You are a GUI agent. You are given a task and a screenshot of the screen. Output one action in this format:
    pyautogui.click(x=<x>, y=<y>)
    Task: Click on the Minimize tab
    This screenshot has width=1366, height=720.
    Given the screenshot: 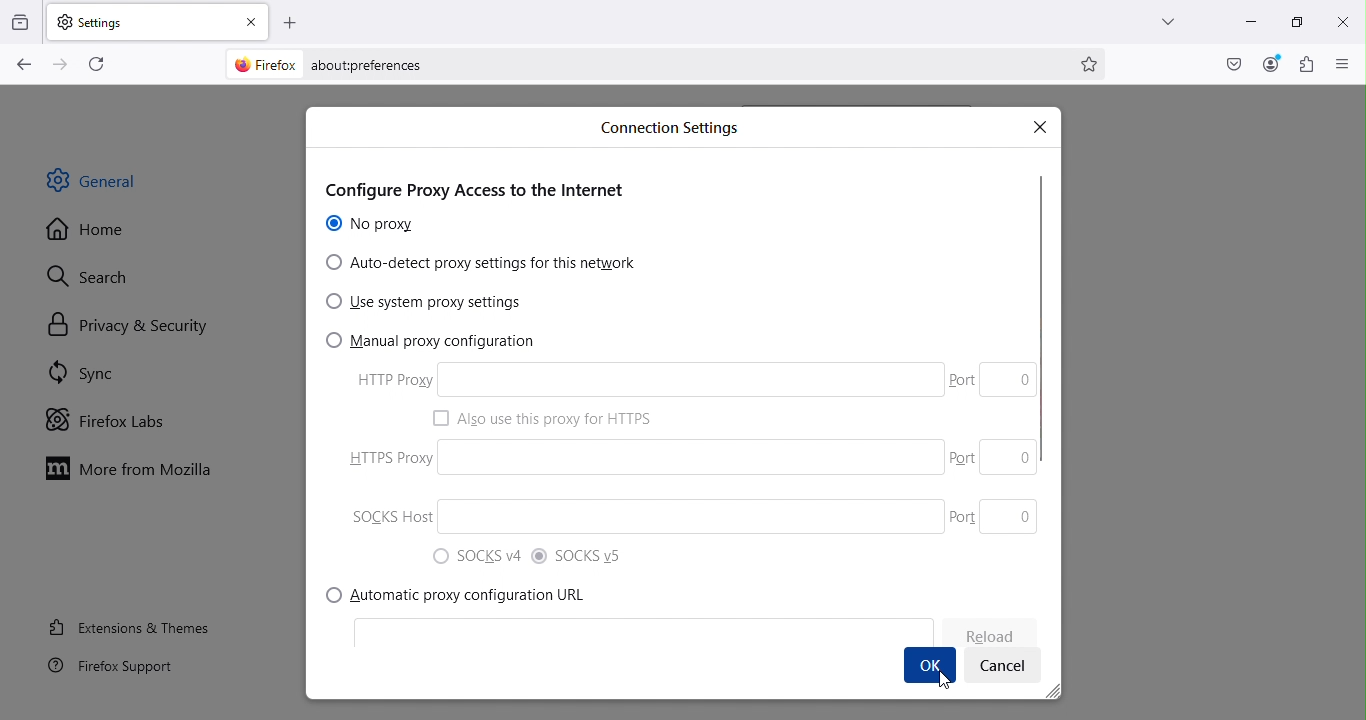 What is the action you would take?
    pyautogui.click(x=1245, y=24)
    